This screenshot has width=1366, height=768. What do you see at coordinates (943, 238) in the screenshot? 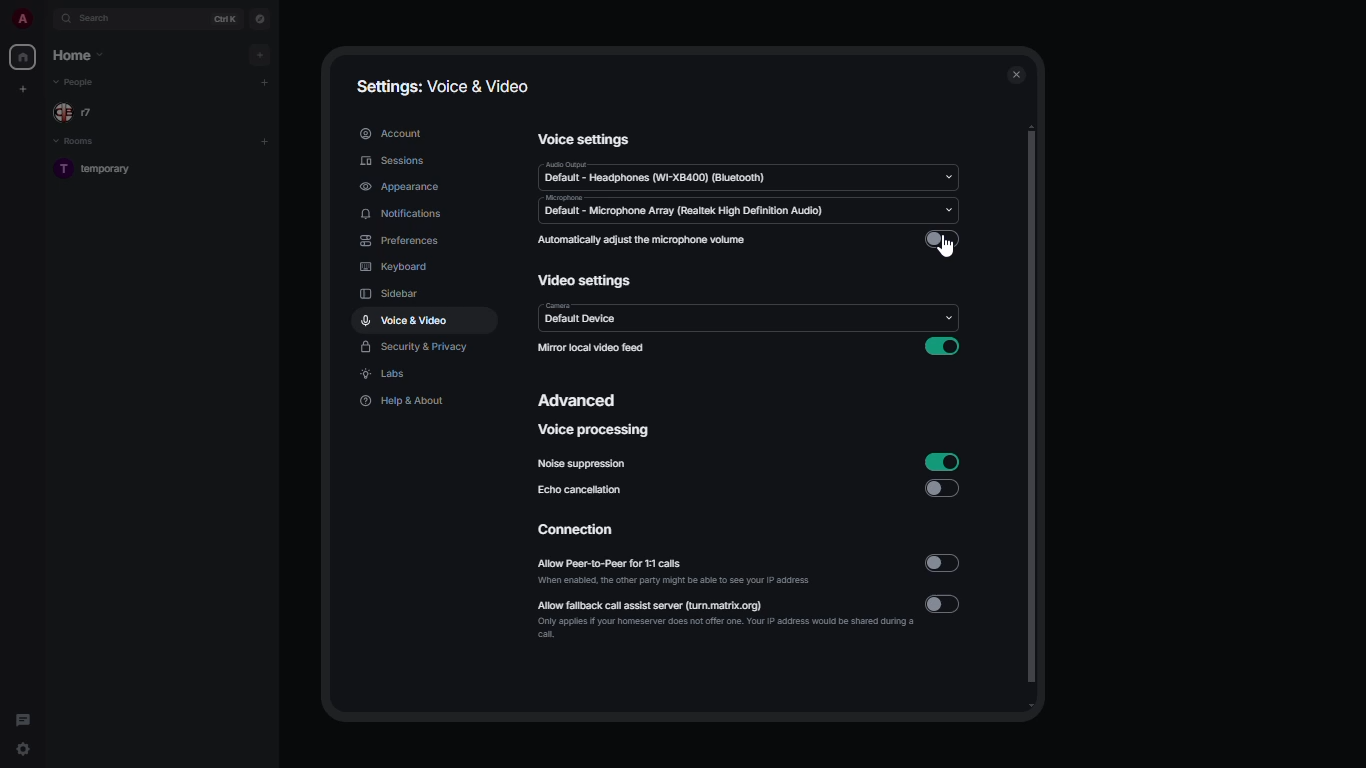
I see `disabled` at bounding box center [943, 238].